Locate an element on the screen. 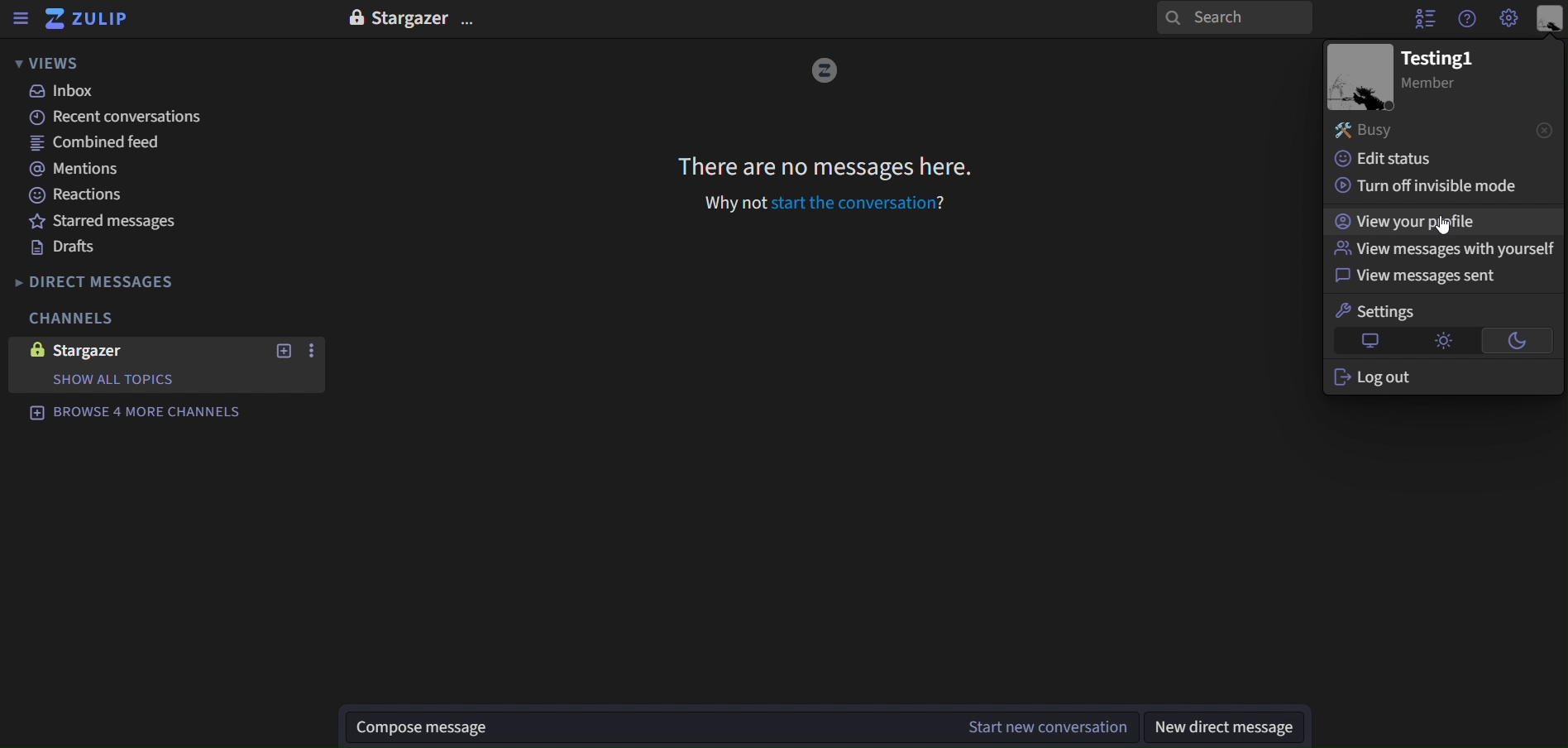 The image size is (1568, 748). stargazer is located at coordinates (417, 21).